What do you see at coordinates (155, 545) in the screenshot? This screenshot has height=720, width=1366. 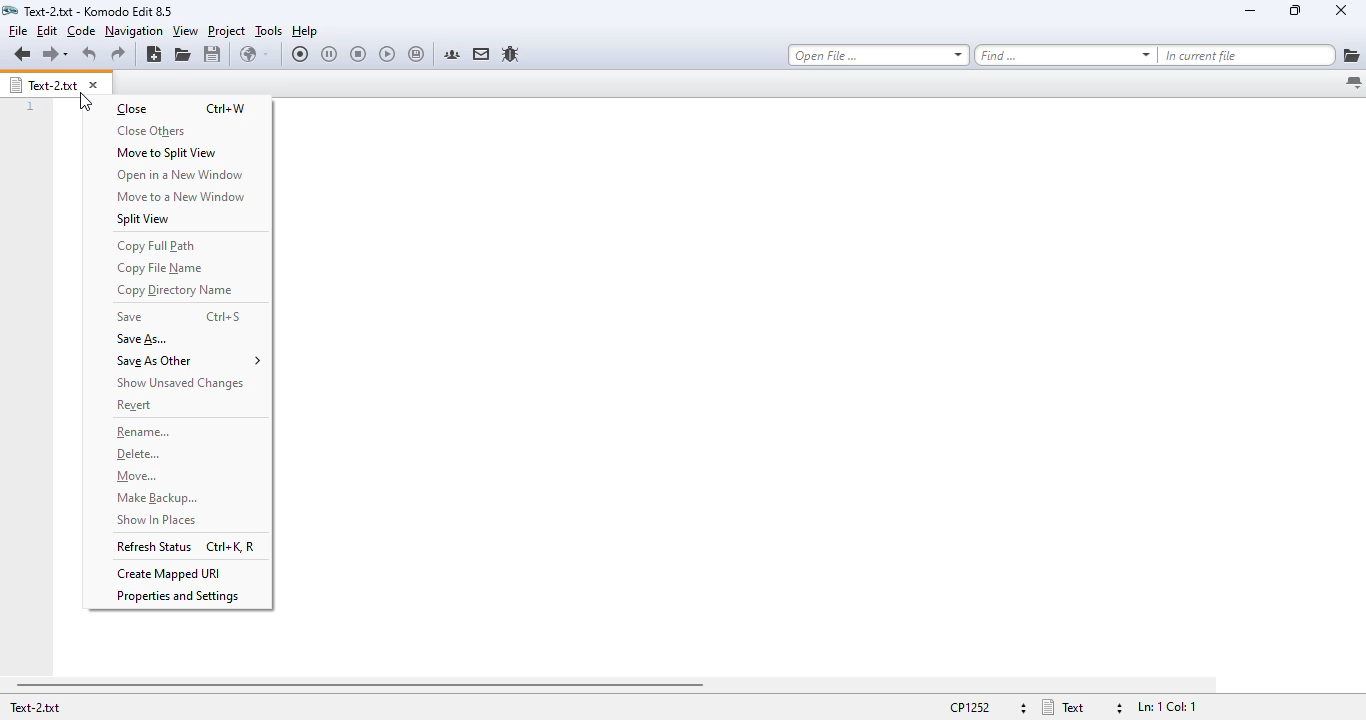 I see `refresh status` at bounding box center [155, 545].